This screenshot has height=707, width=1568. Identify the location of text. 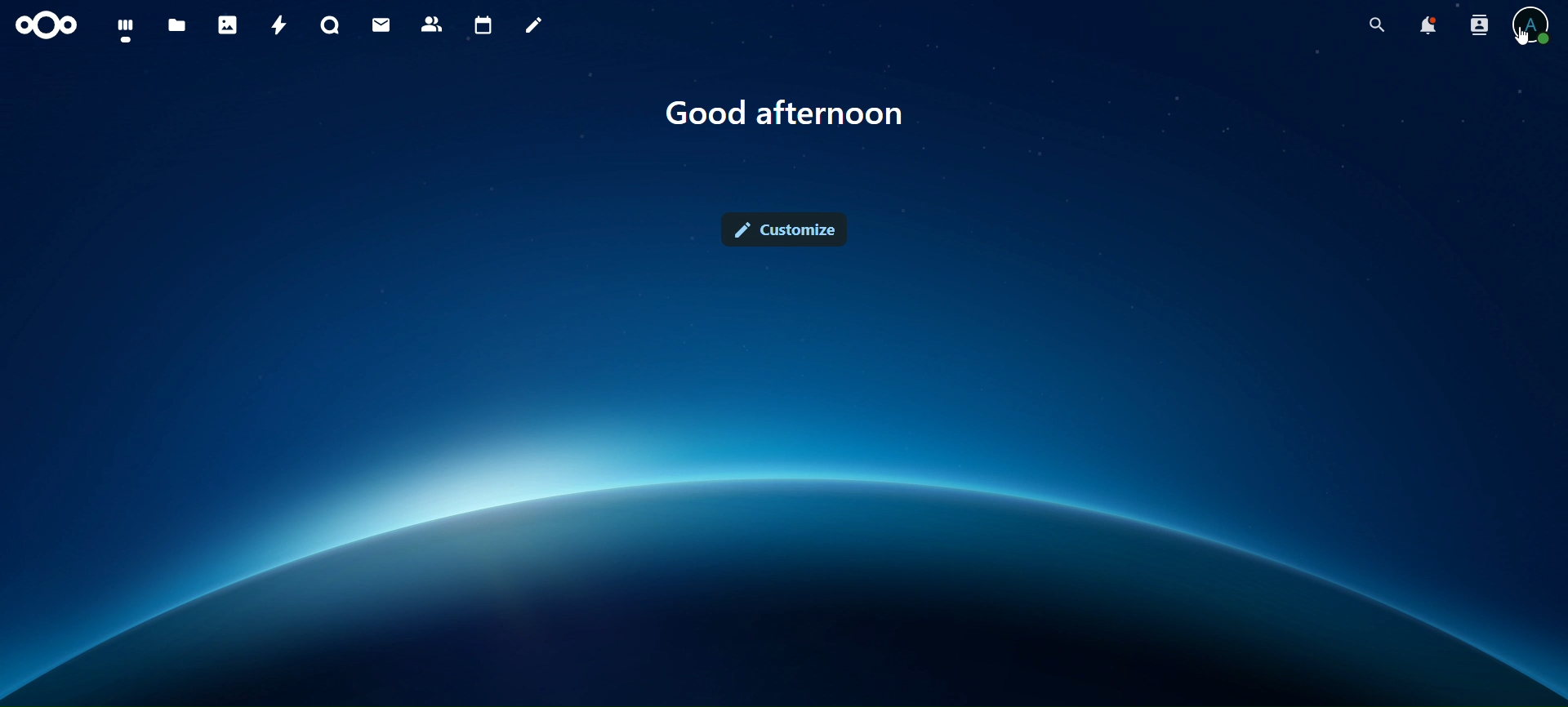
(785, 113).